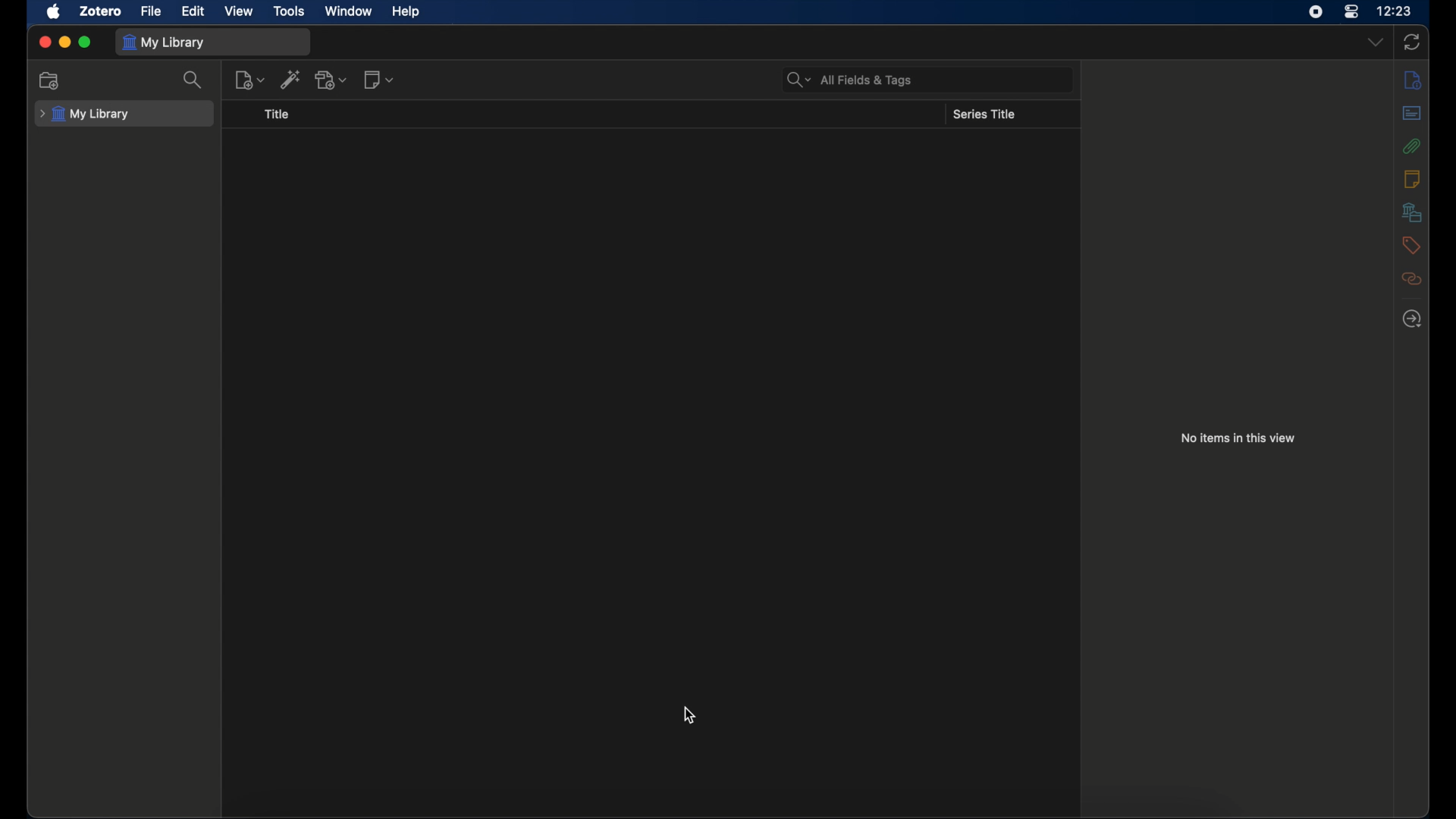  What do you see at coordinates (406, 11) in the screenshot?
I see `help` at bounding box center [406, 11].